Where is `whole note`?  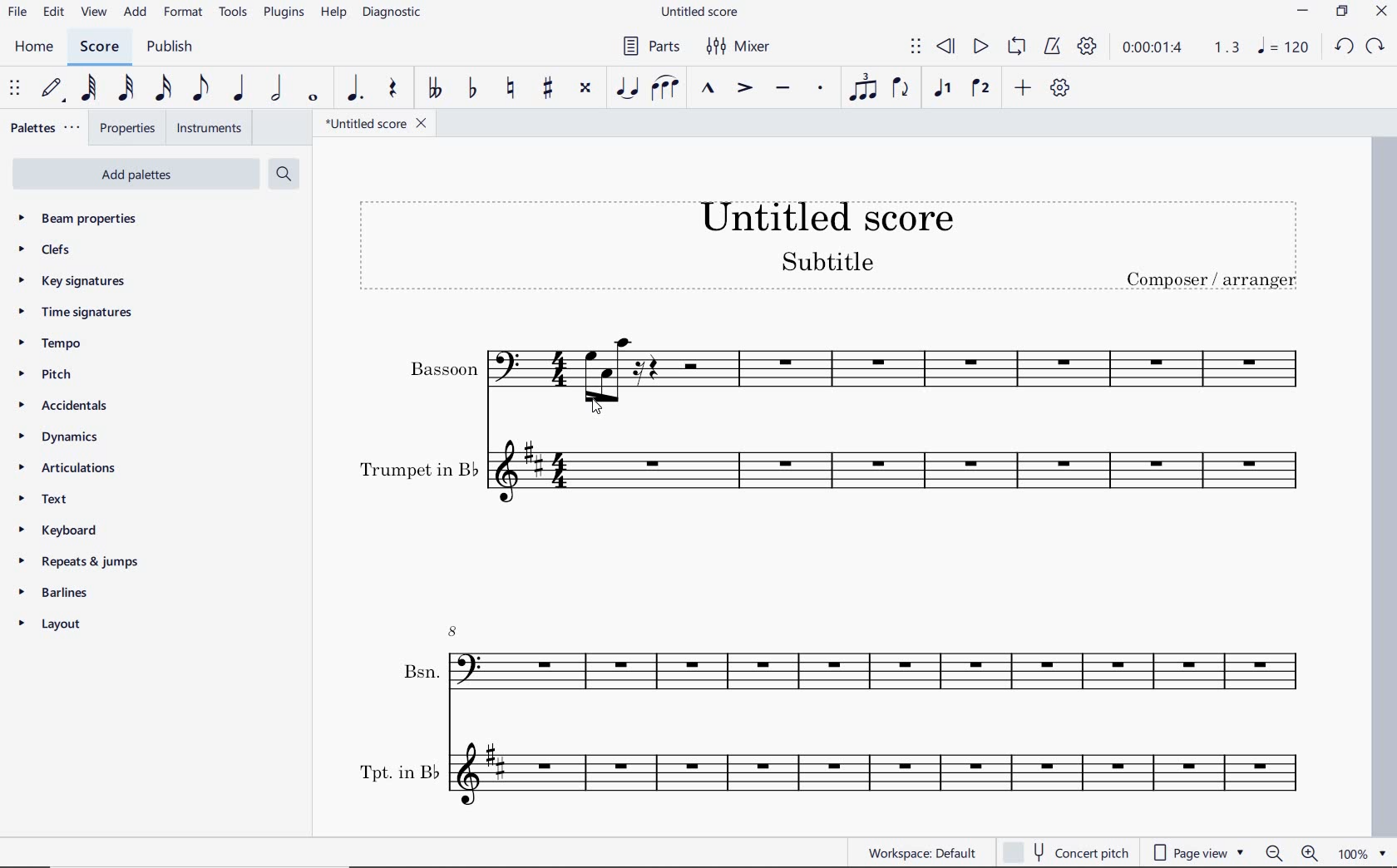 whole note is located at coordinates (311, 98).